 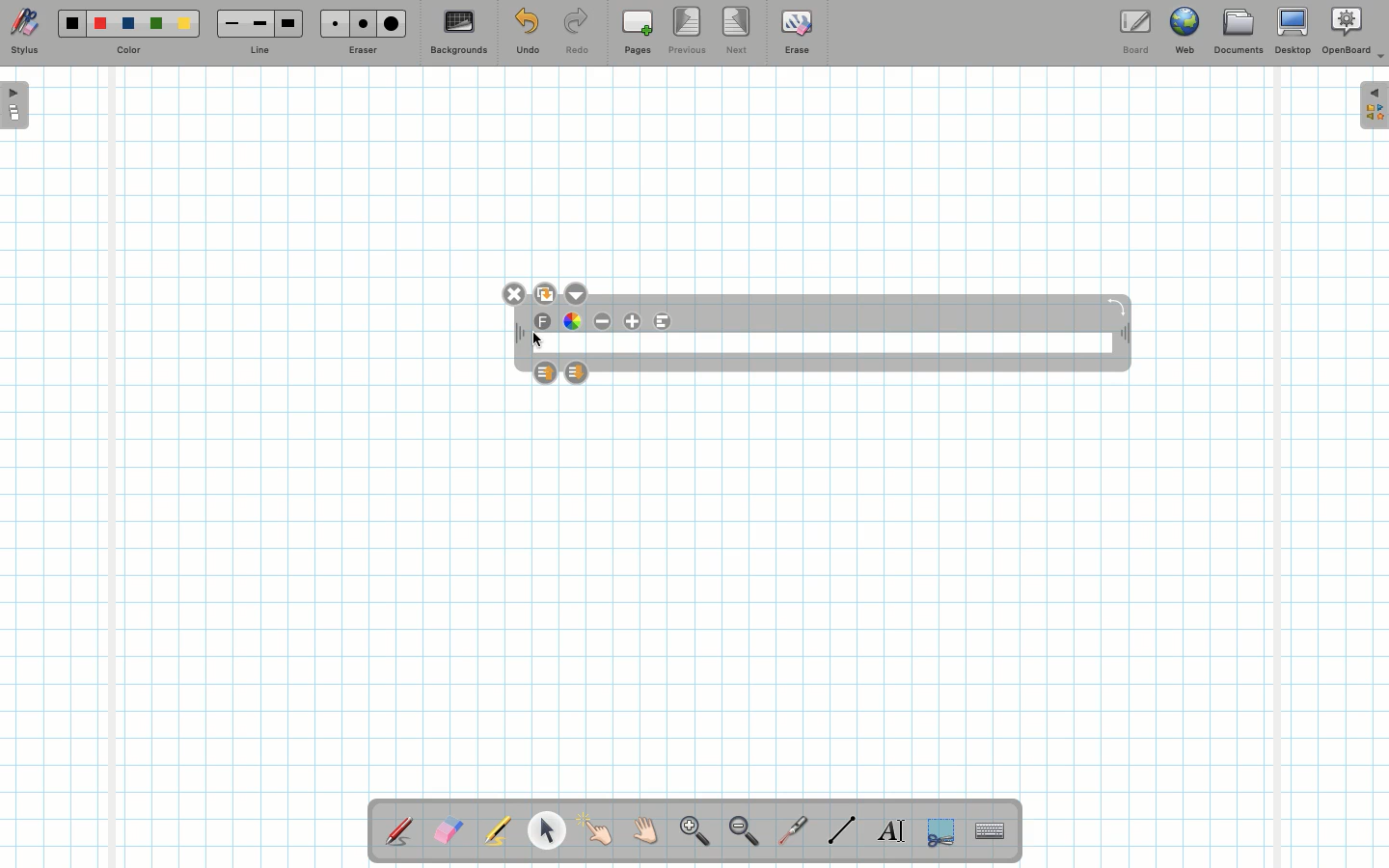 I want to click on Alignment, so click(x=661, y=322).